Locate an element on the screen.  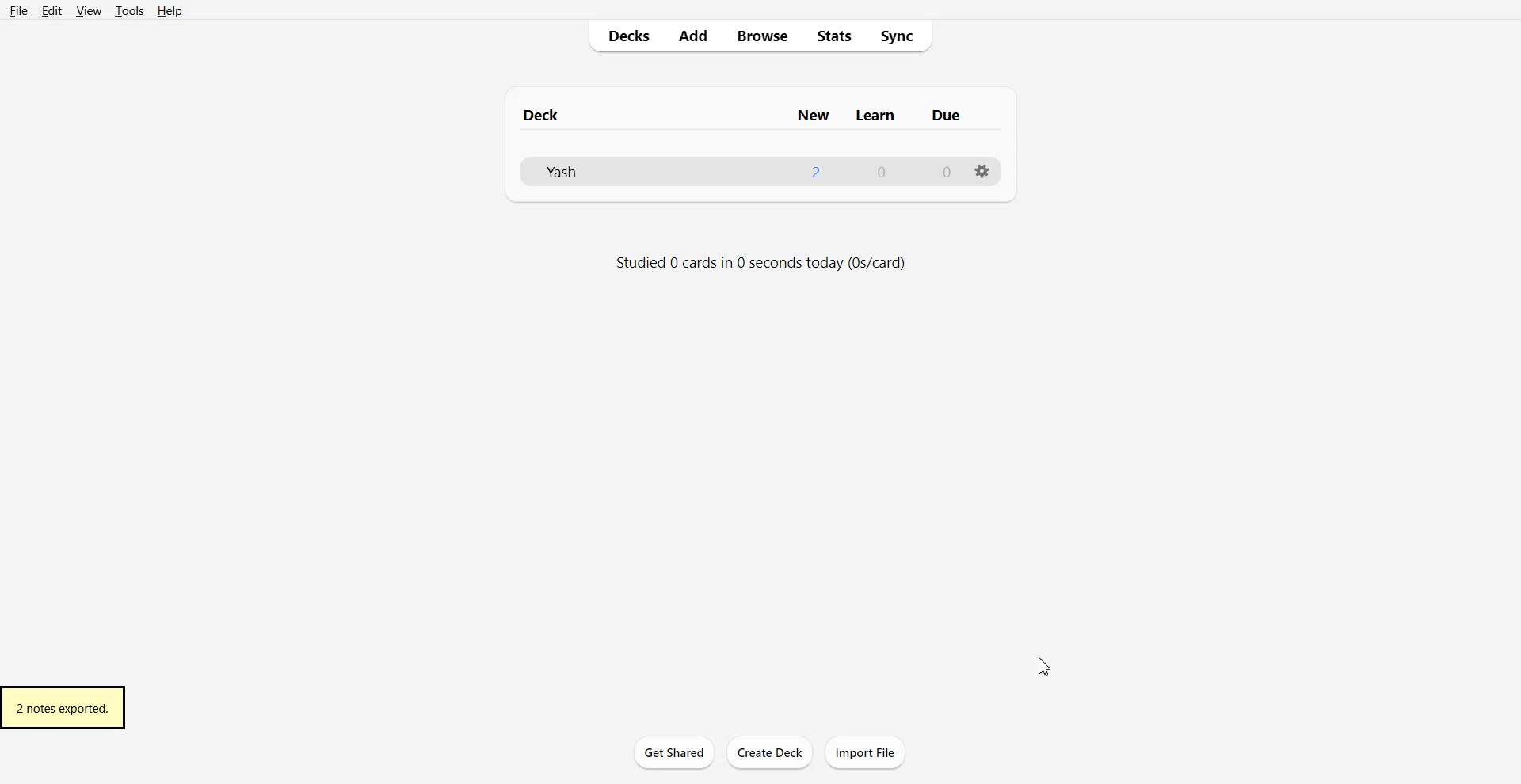
Sync is located at coordinates (902, 36).